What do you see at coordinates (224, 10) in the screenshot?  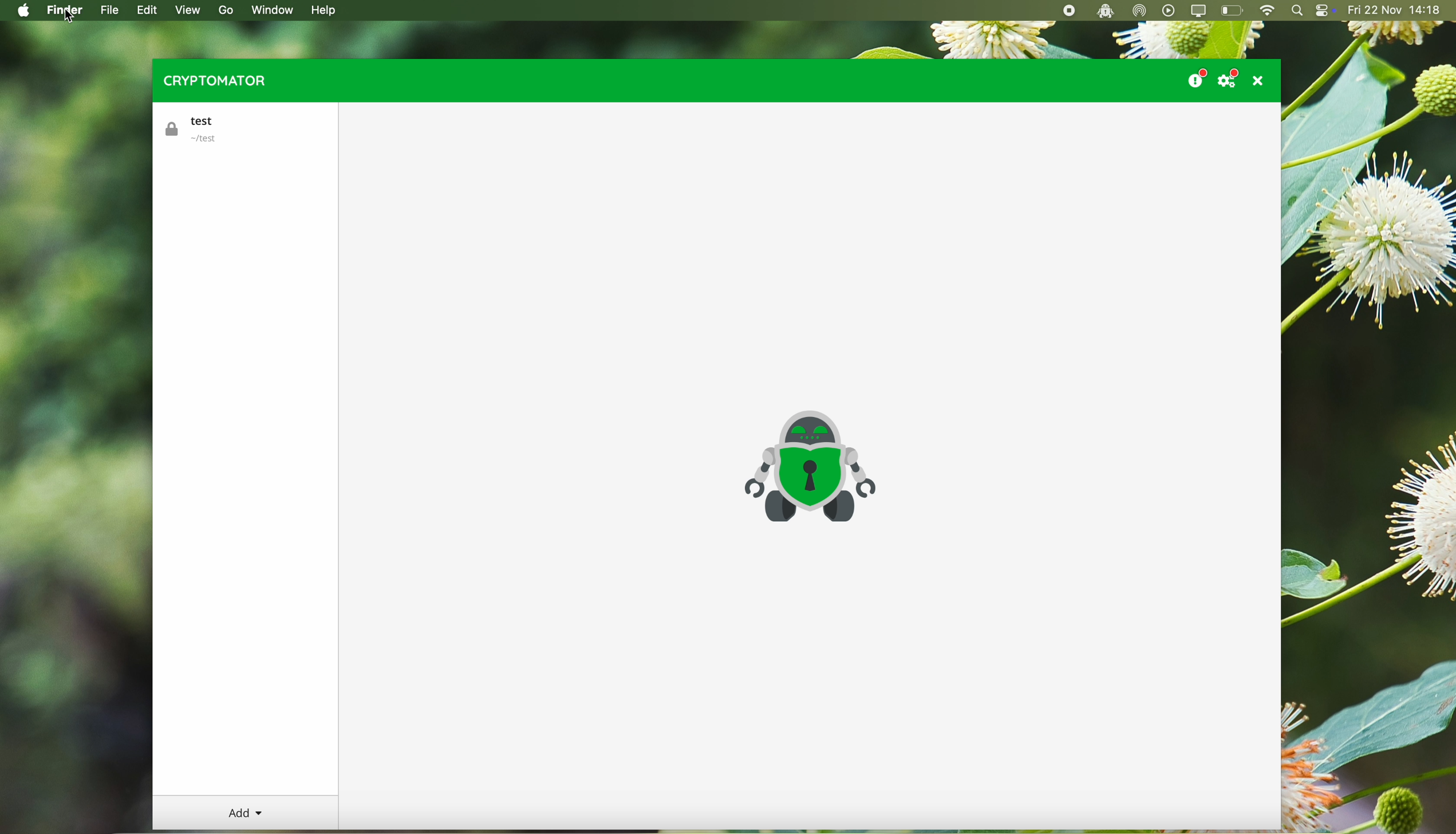 I see `go` at bounding box center [224, 10].